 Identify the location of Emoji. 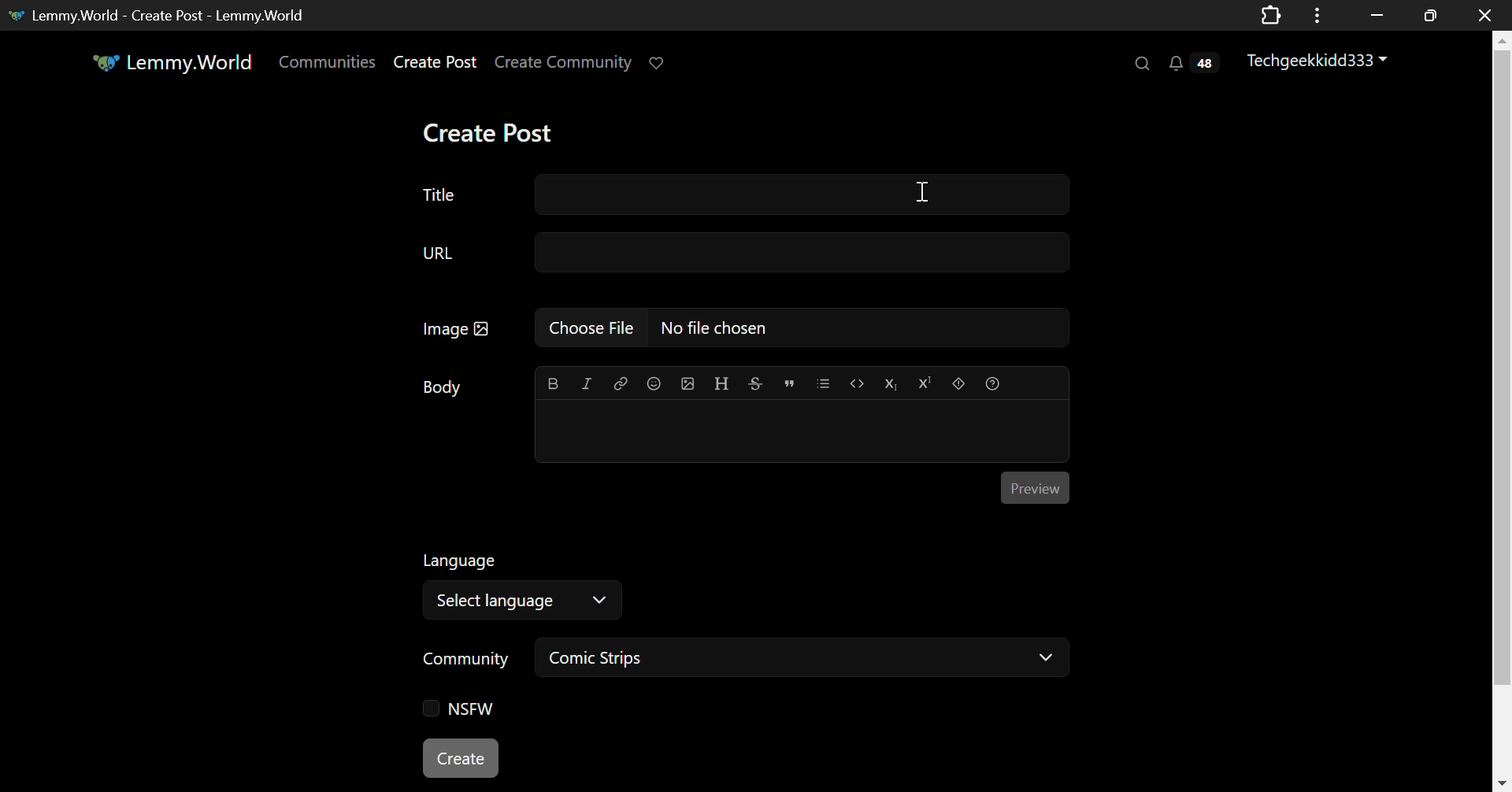
(654, 384).